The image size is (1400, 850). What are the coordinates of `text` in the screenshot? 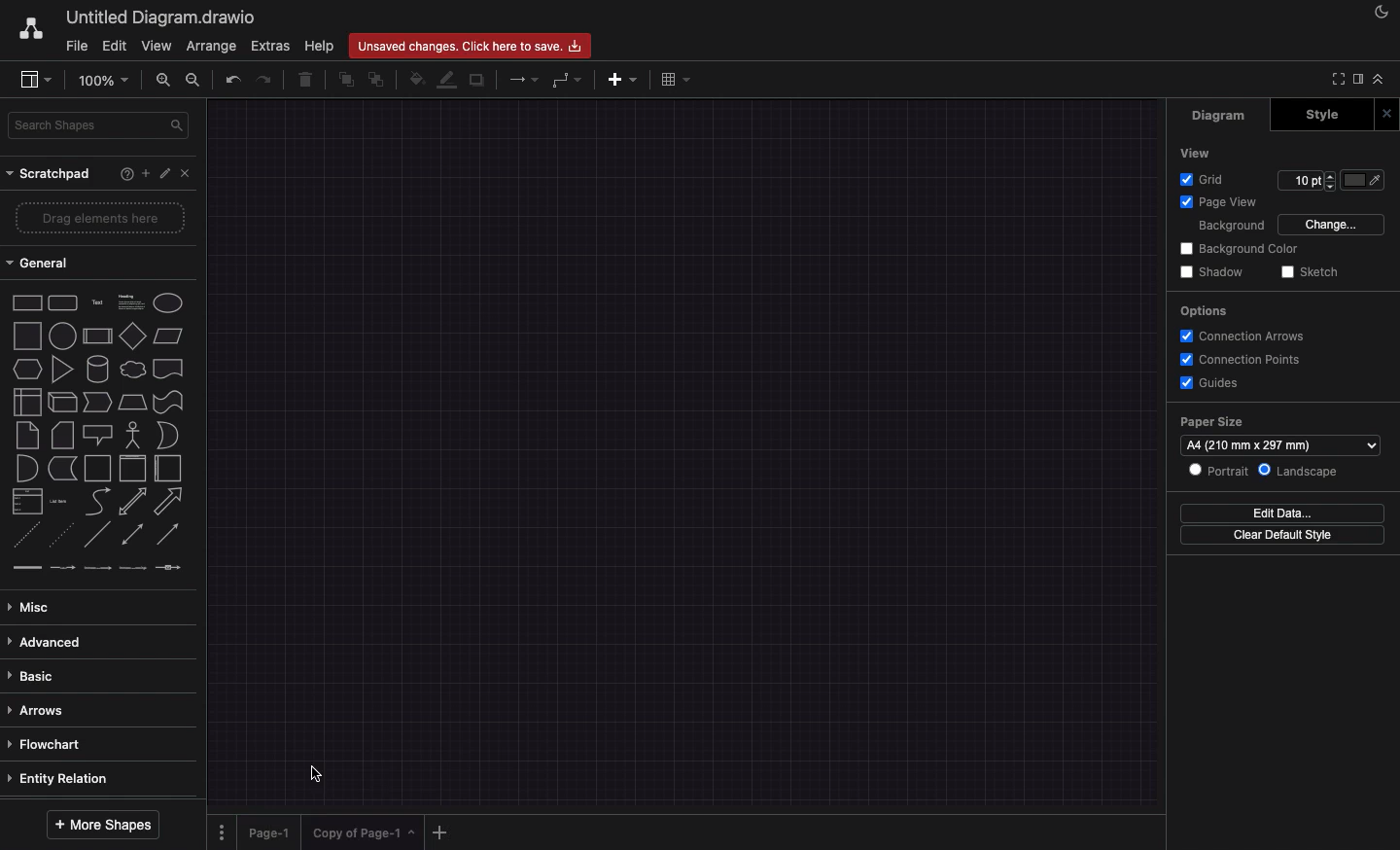 It's located at (100, 301).